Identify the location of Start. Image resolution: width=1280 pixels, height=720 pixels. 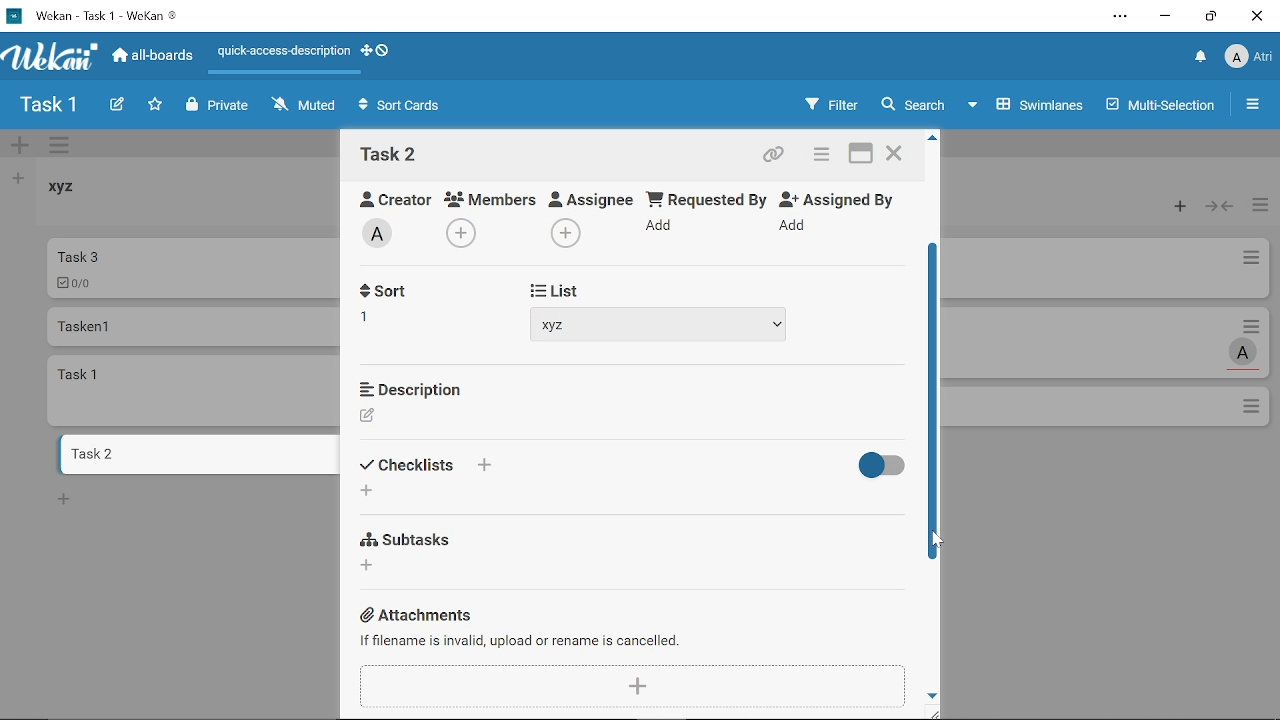
(549, 288).